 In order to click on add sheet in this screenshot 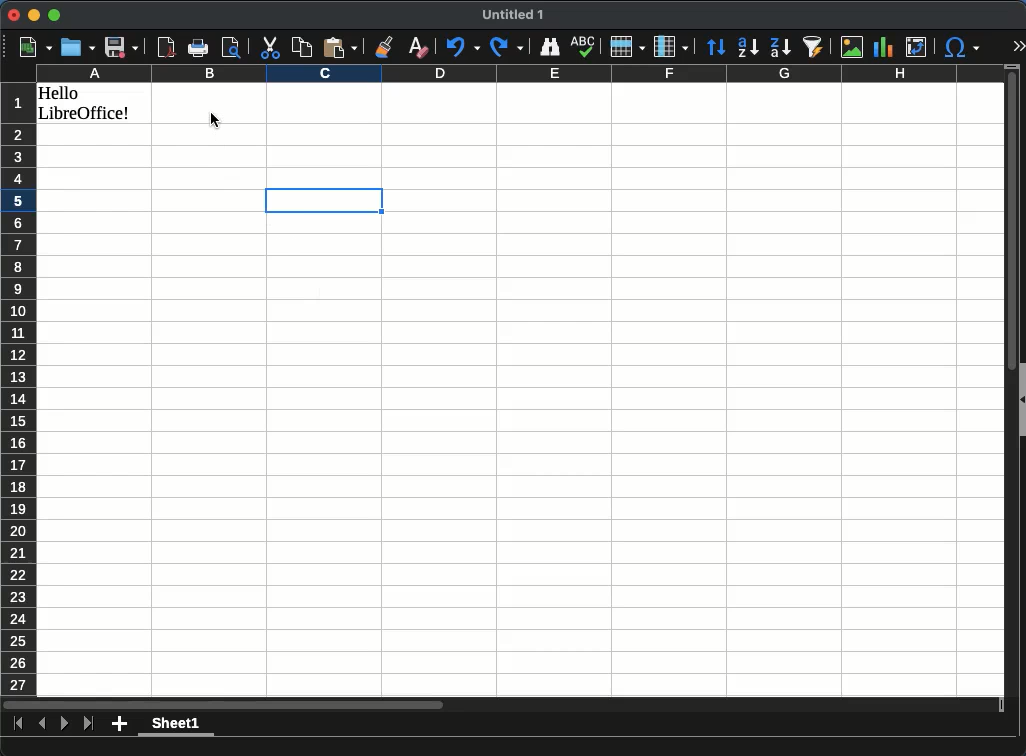, I will do `click(119, 724)`.